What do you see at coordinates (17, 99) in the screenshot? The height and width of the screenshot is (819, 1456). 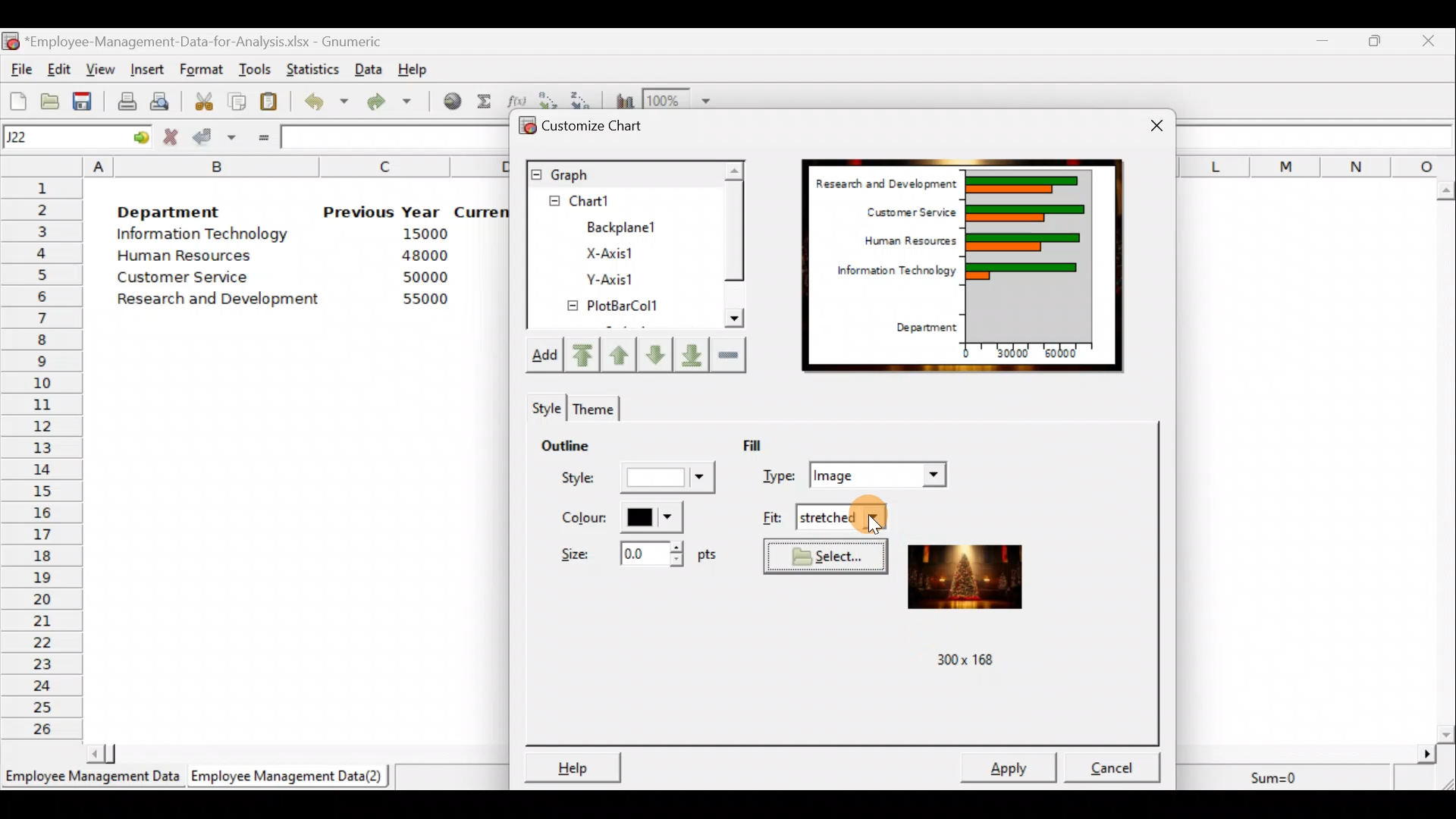 I see `Create a new workbook` at bounding box center [17, 99].